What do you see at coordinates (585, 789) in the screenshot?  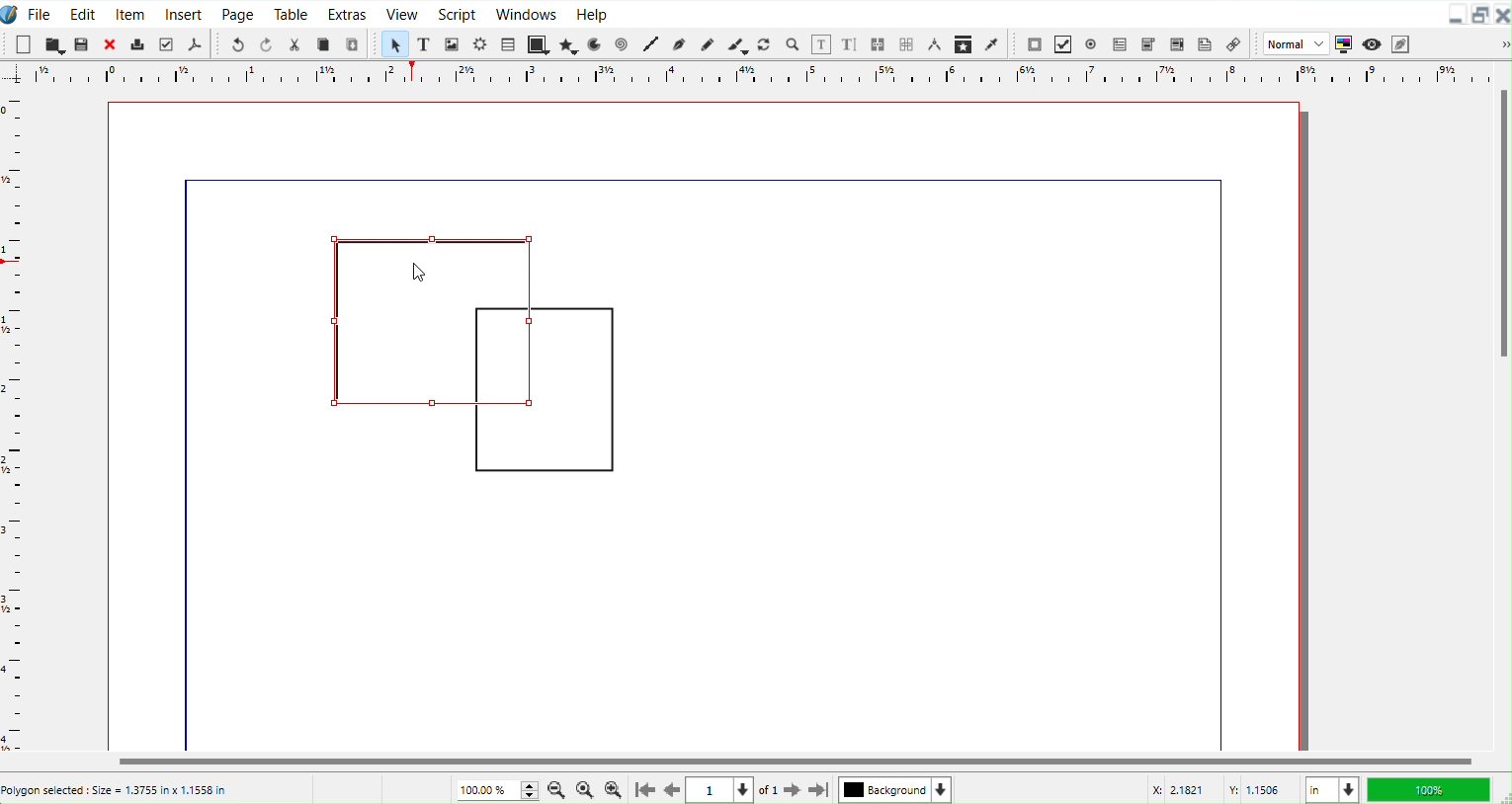 I see `Zoom to 100%` at bounding box center [585, 789].